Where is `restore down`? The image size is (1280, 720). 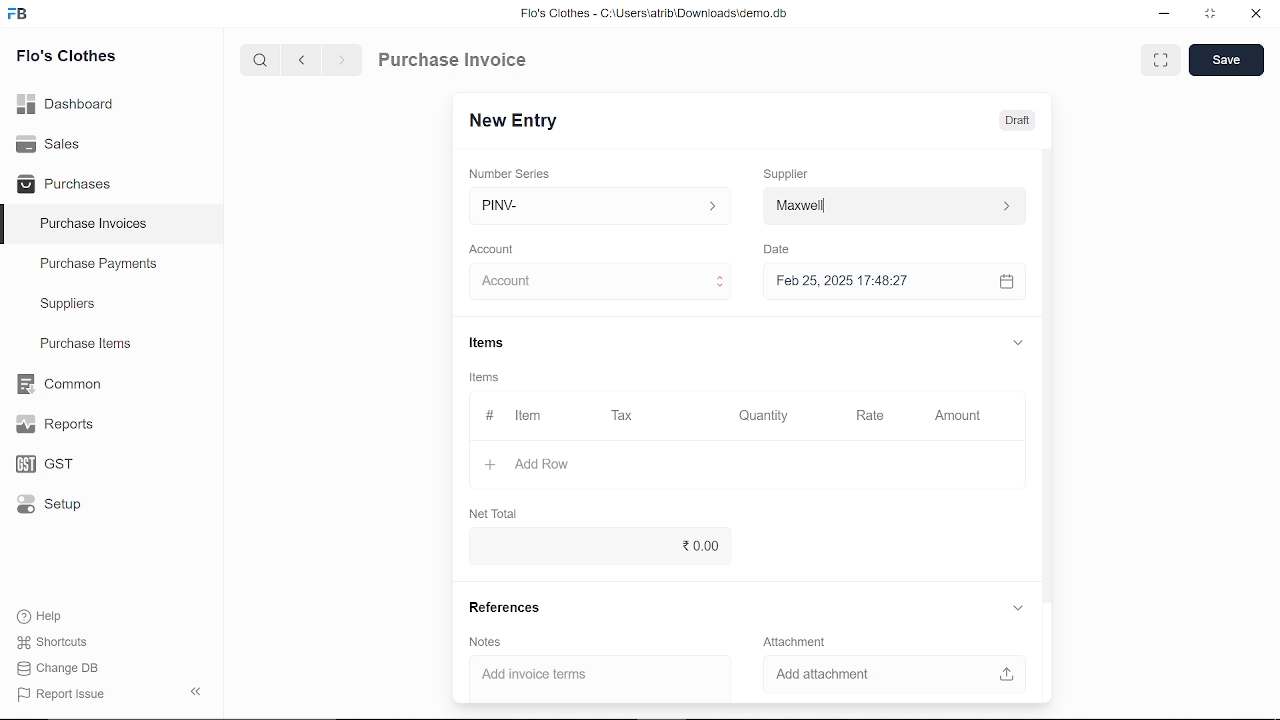
restore down is located at coordinates (1214, 15).